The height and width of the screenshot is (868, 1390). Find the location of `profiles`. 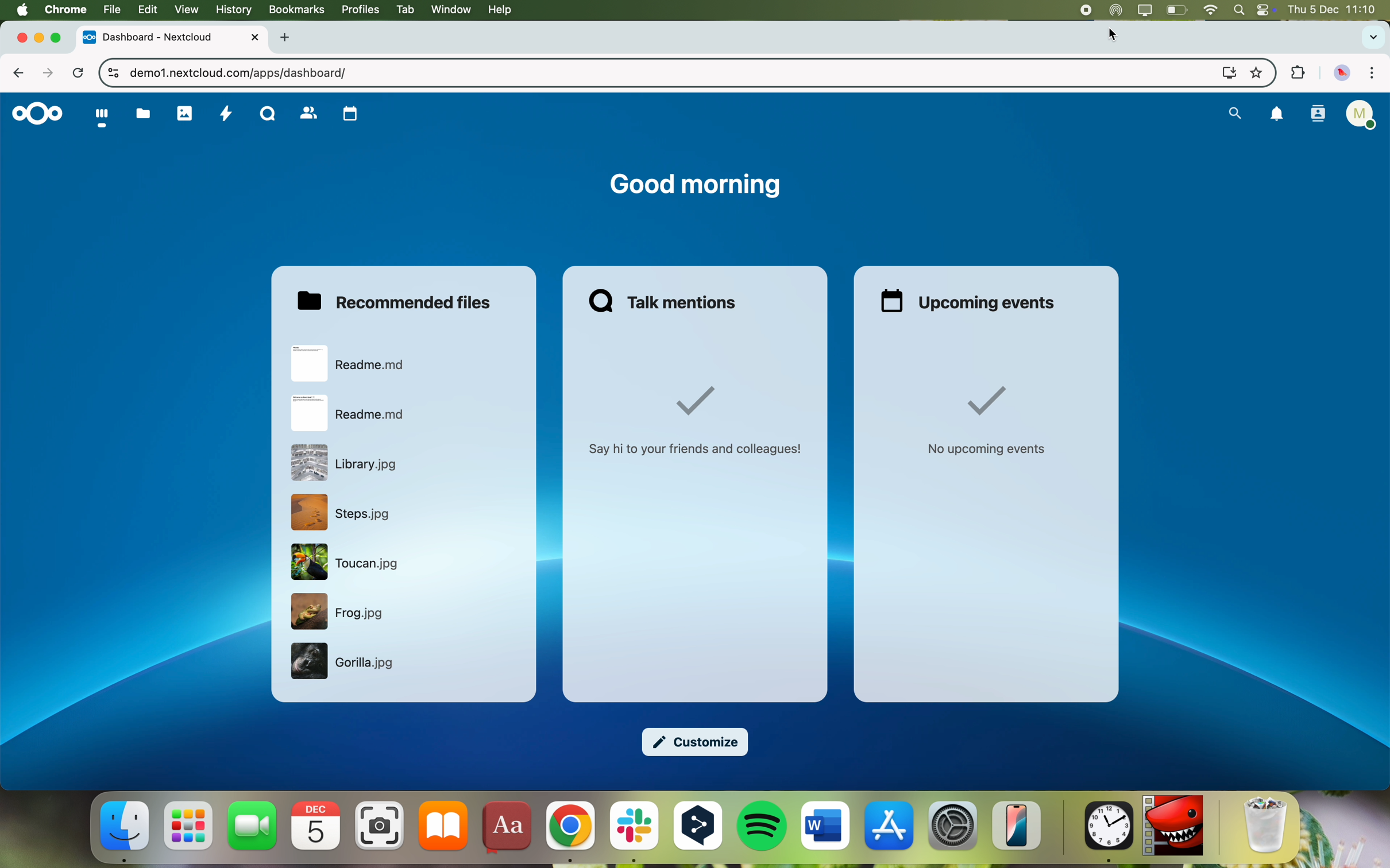

profiles is located at coordinates (359, 10).